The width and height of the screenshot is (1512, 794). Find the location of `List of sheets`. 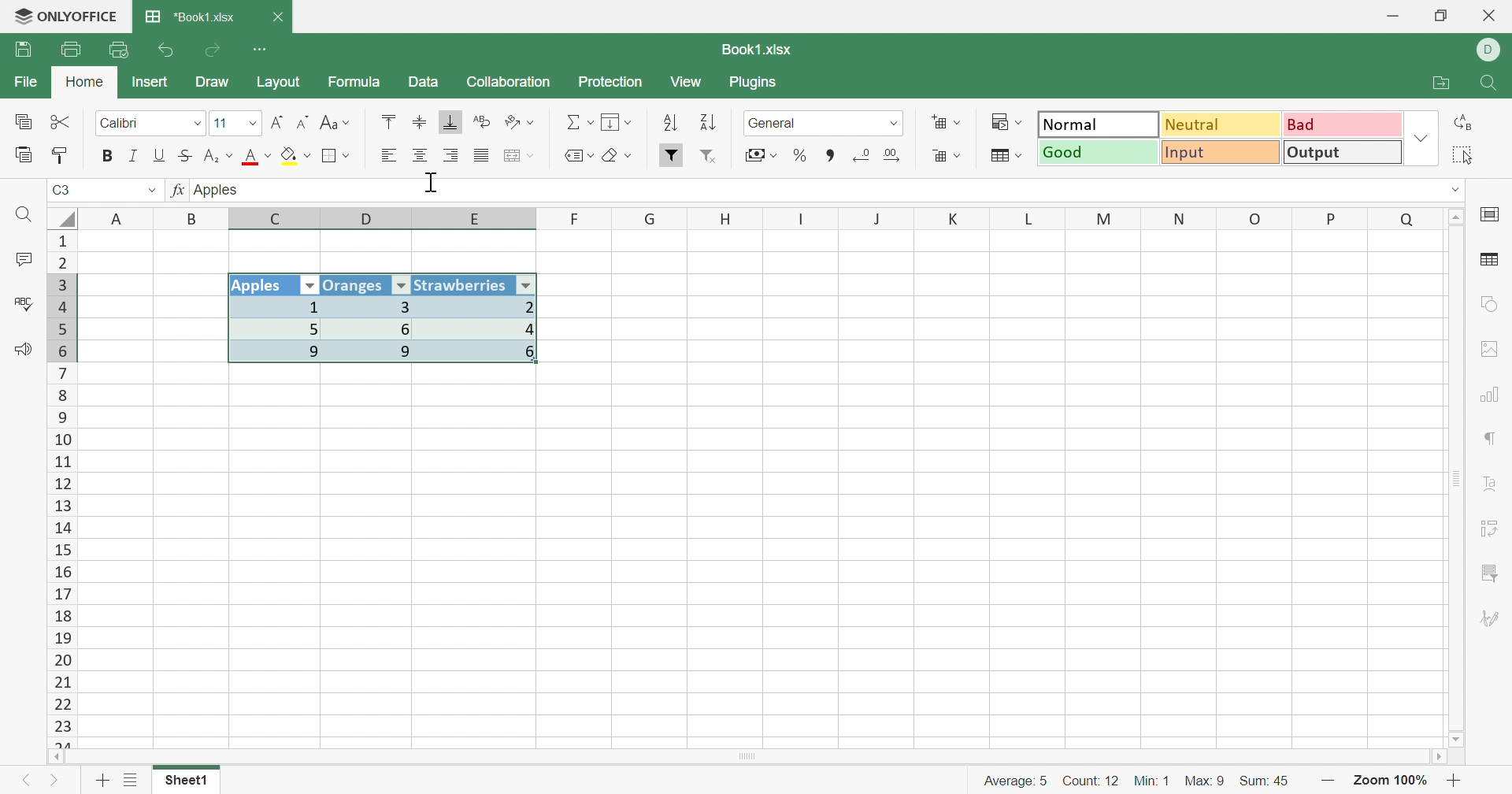

List of sheets is located at coordinates (130, 781).